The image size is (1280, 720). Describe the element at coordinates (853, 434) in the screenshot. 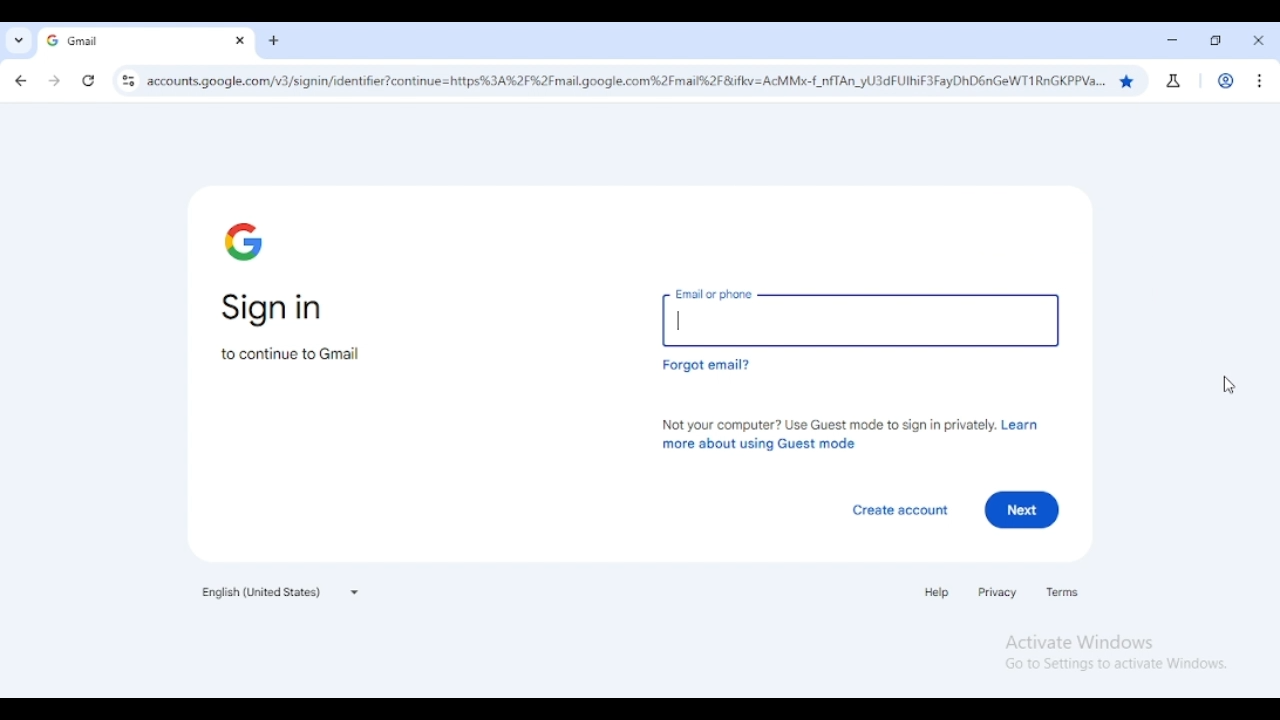

I see `not your computer? use guest mode to sign in privately. learn more about using guest mode` at that location.